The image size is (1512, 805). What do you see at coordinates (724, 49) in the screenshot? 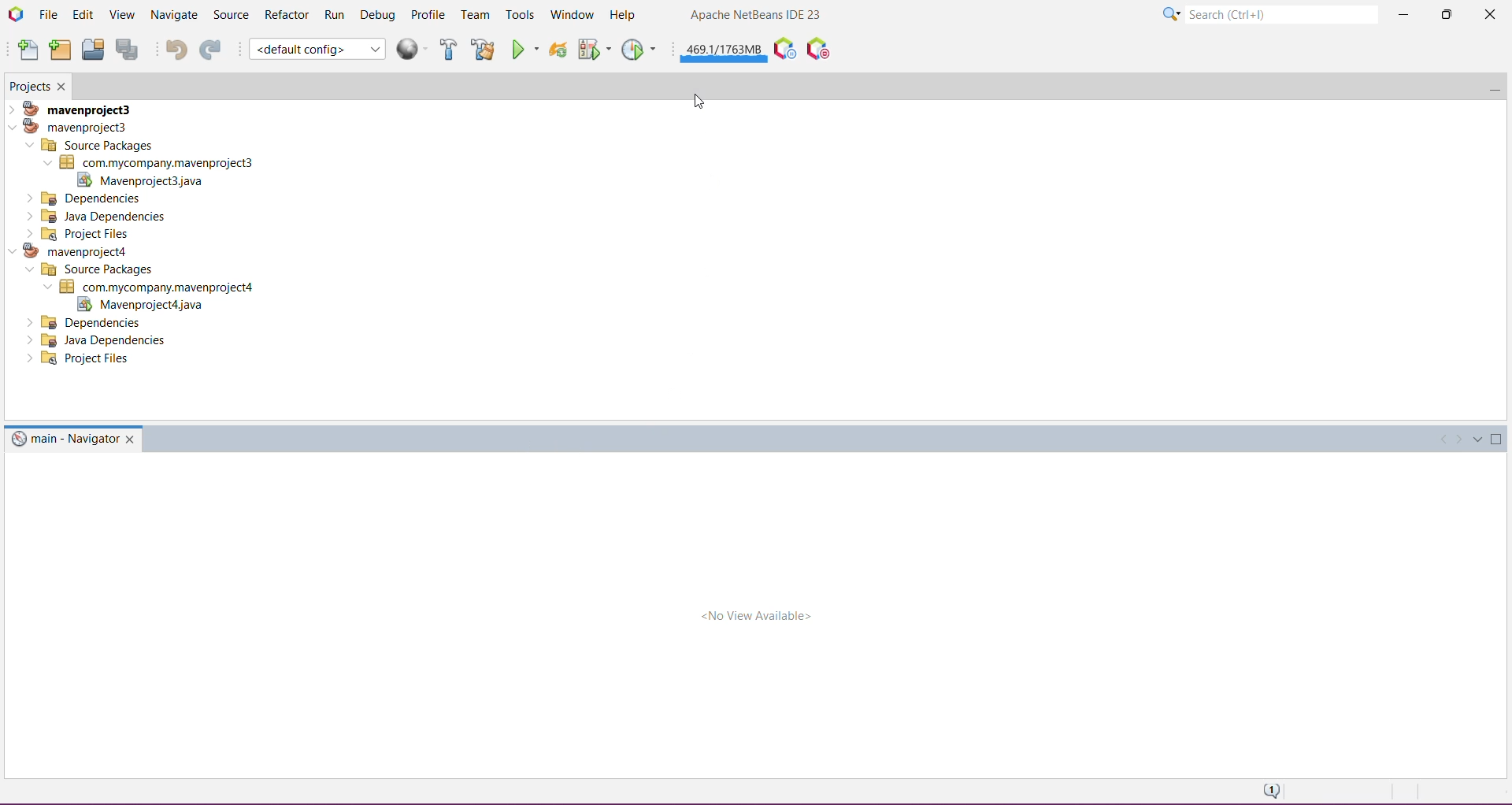
I see `Click to force Garbage Collection` at bounding box center [724, 49].